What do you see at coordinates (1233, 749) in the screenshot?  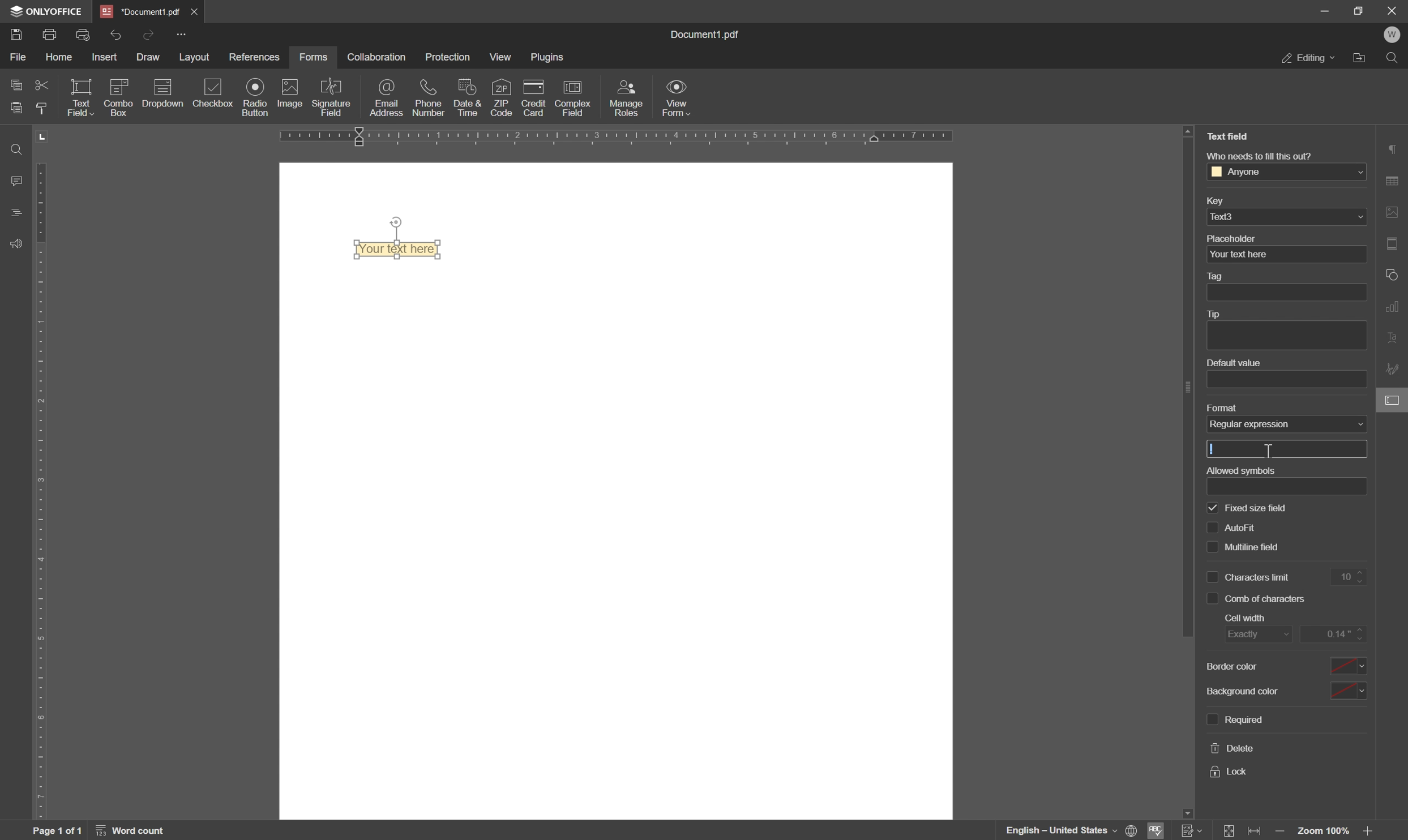 I see `delete` at bounding box center [1233, 749].